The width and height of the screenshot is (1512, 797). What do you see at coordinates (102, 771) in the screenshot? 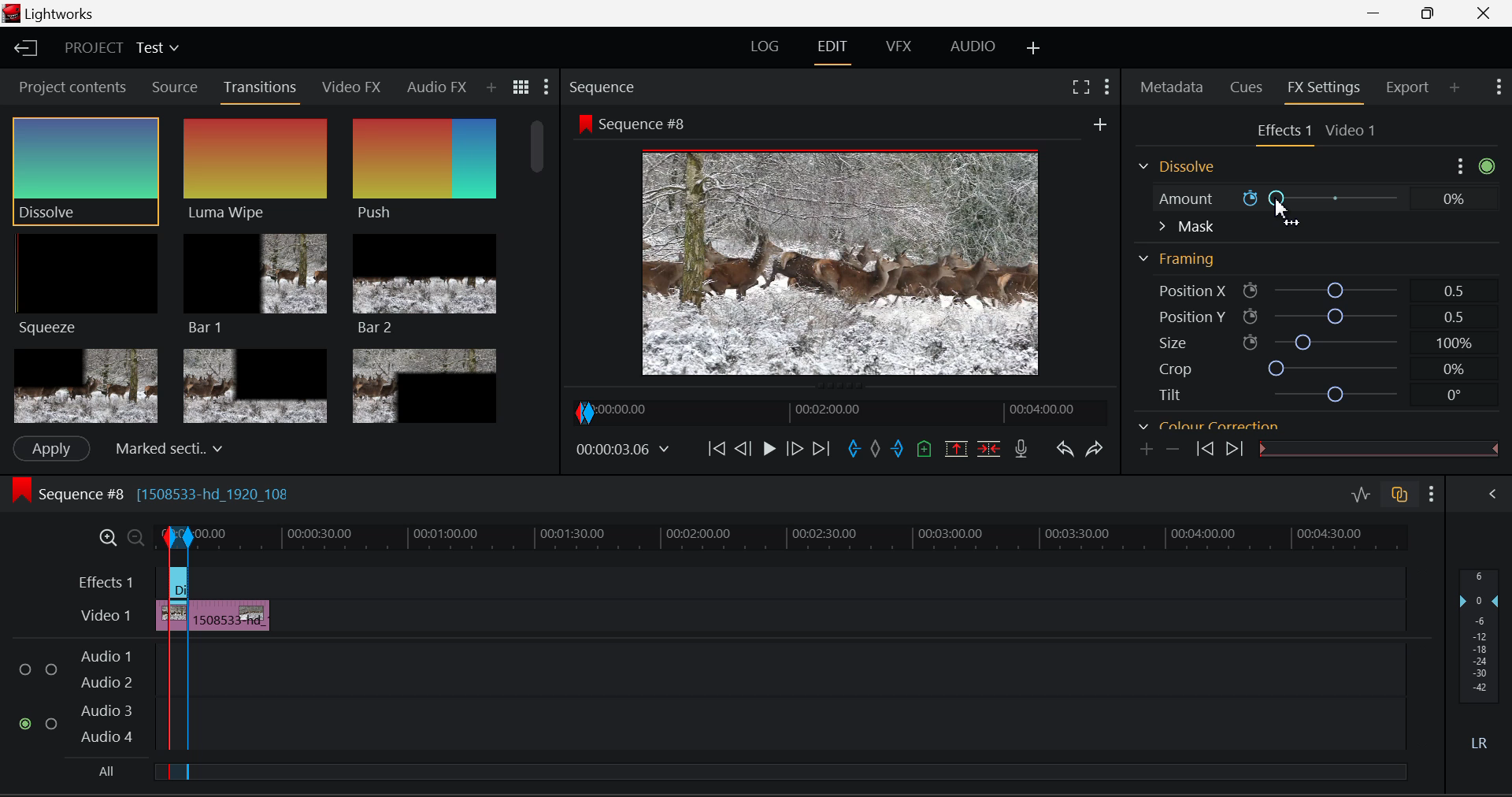
I see `All` at bounding box center [102, 771].